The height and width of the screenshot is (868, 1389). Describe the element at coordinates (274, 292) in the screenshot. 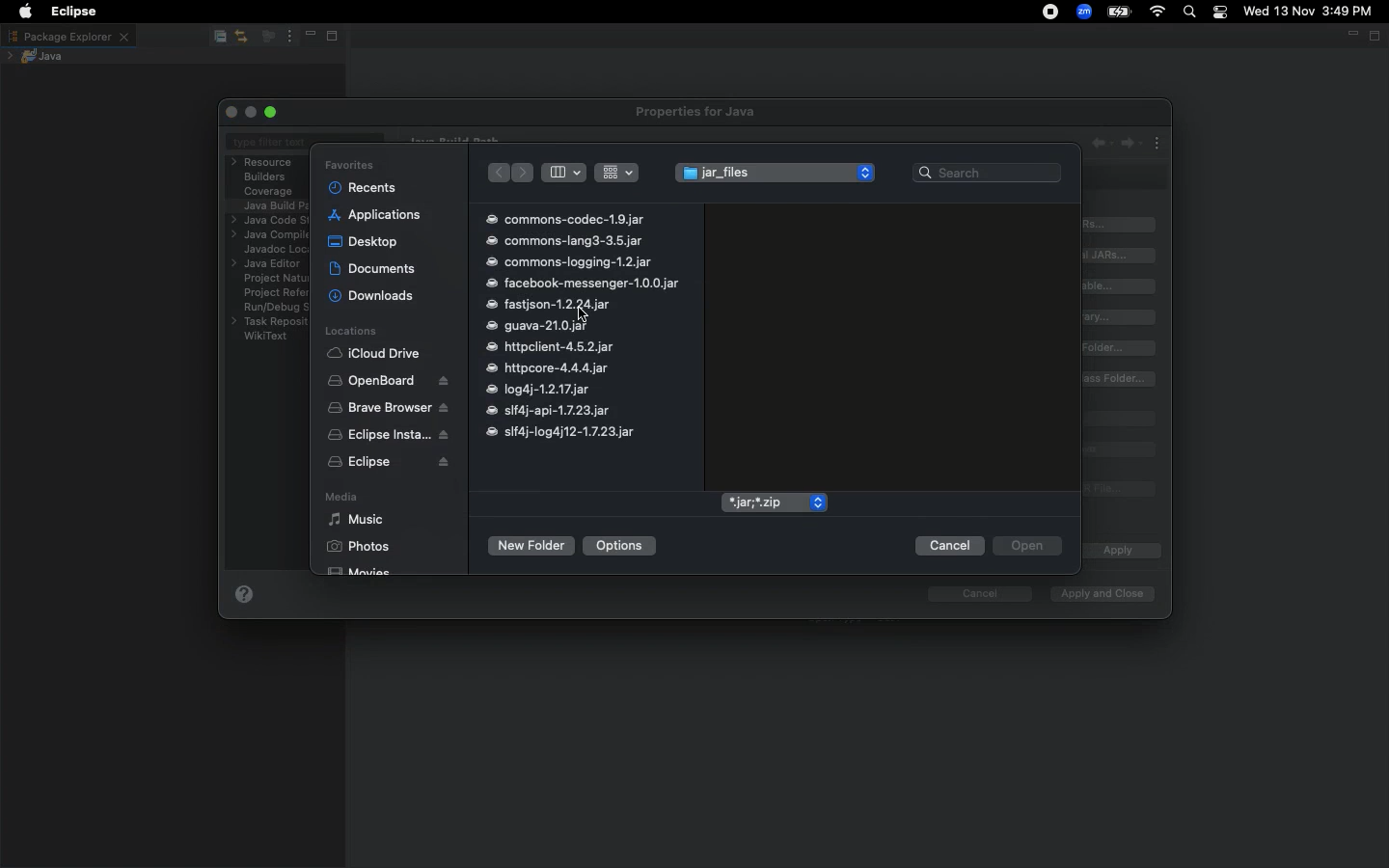

I see `Project references ` at that location.